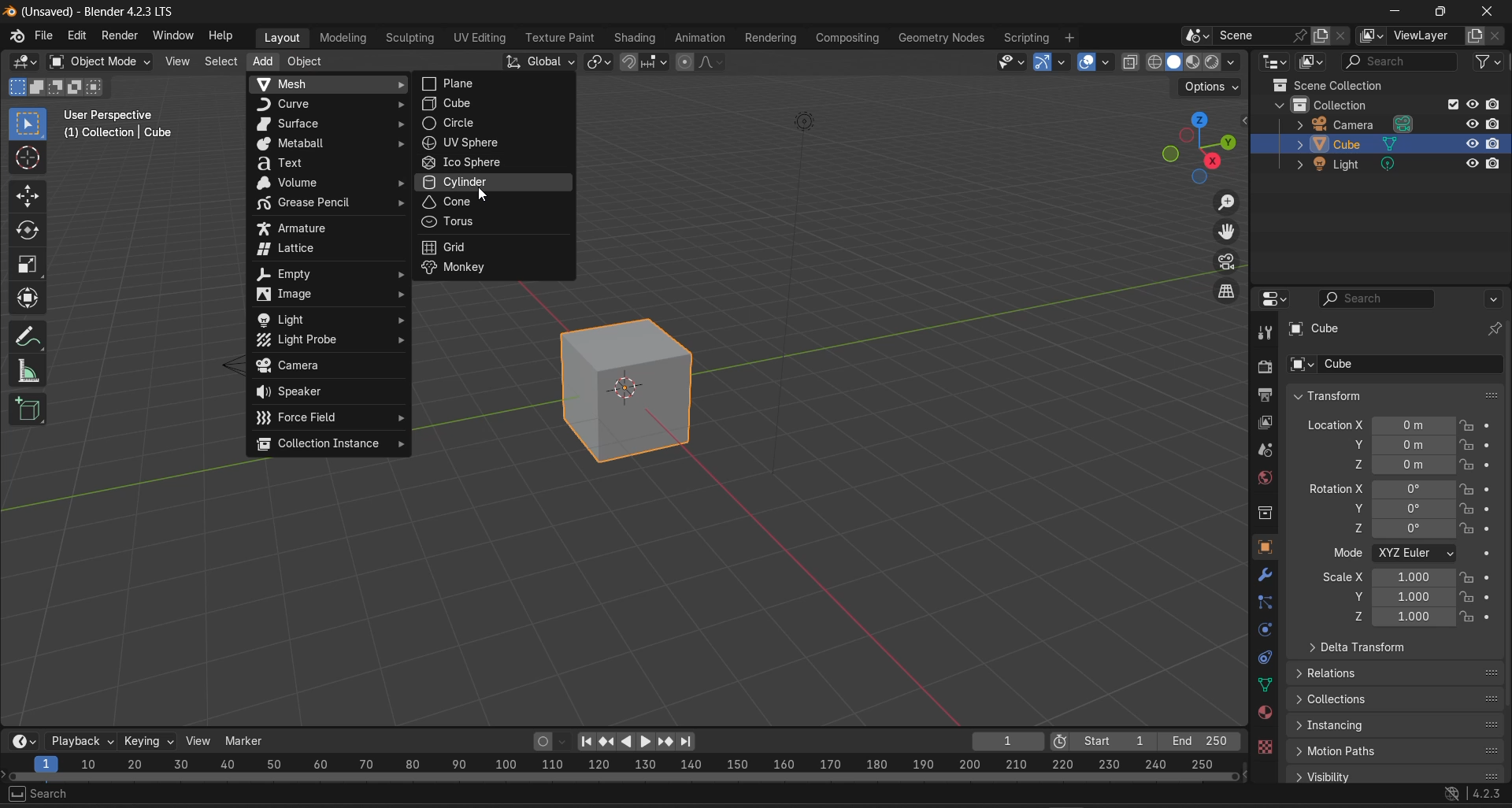 This screenshot has width=1512, height=808. Describe the element at coordinates (1490, 617) in the screenshot. I see `animate property` at that location.